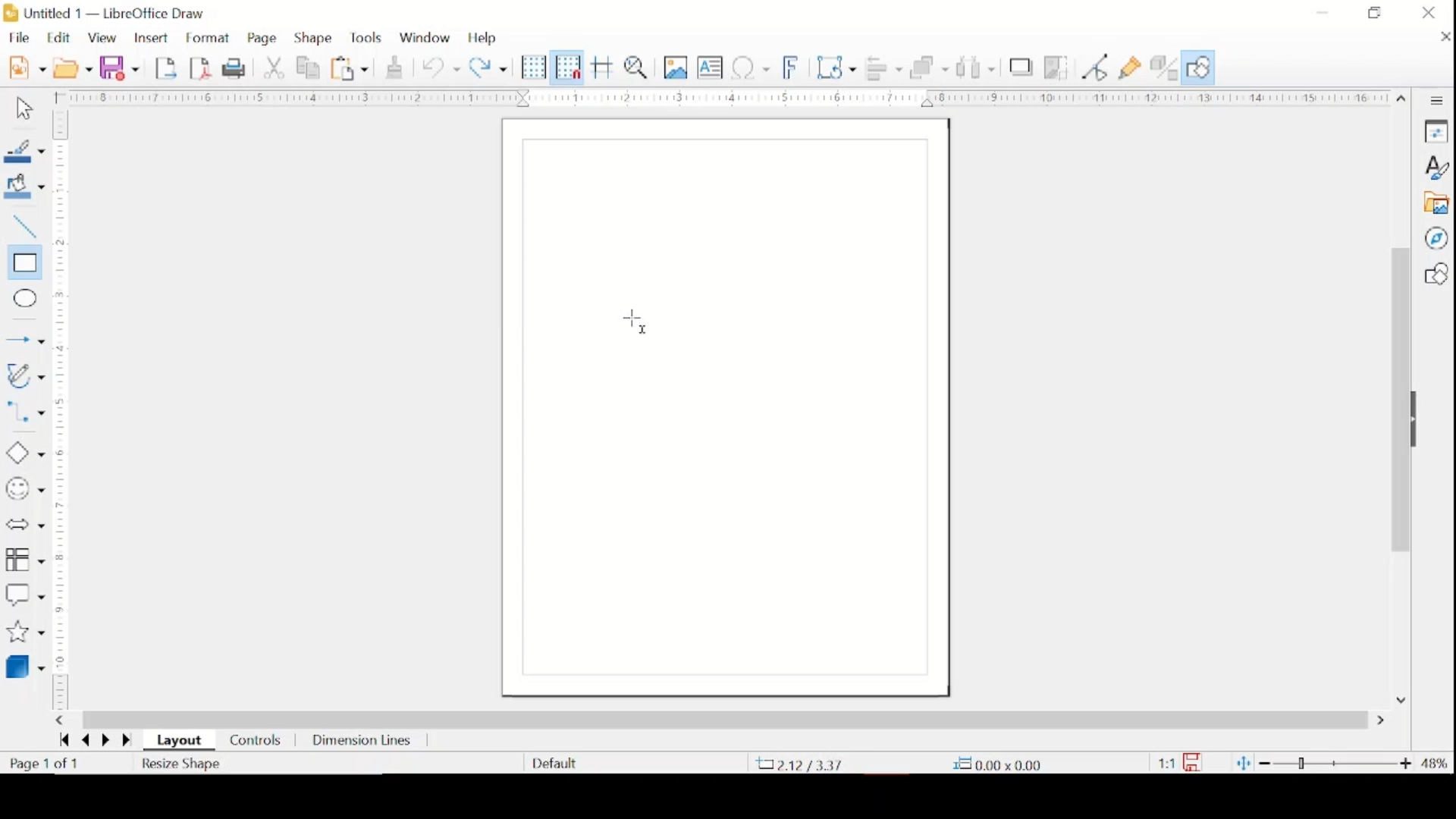 Image resolution: width=1456 pixels, height=819 pixels. What do you see at coordinates (634, 322) in the screenshot?
I see `cursor` at bounding box center [634, 322].